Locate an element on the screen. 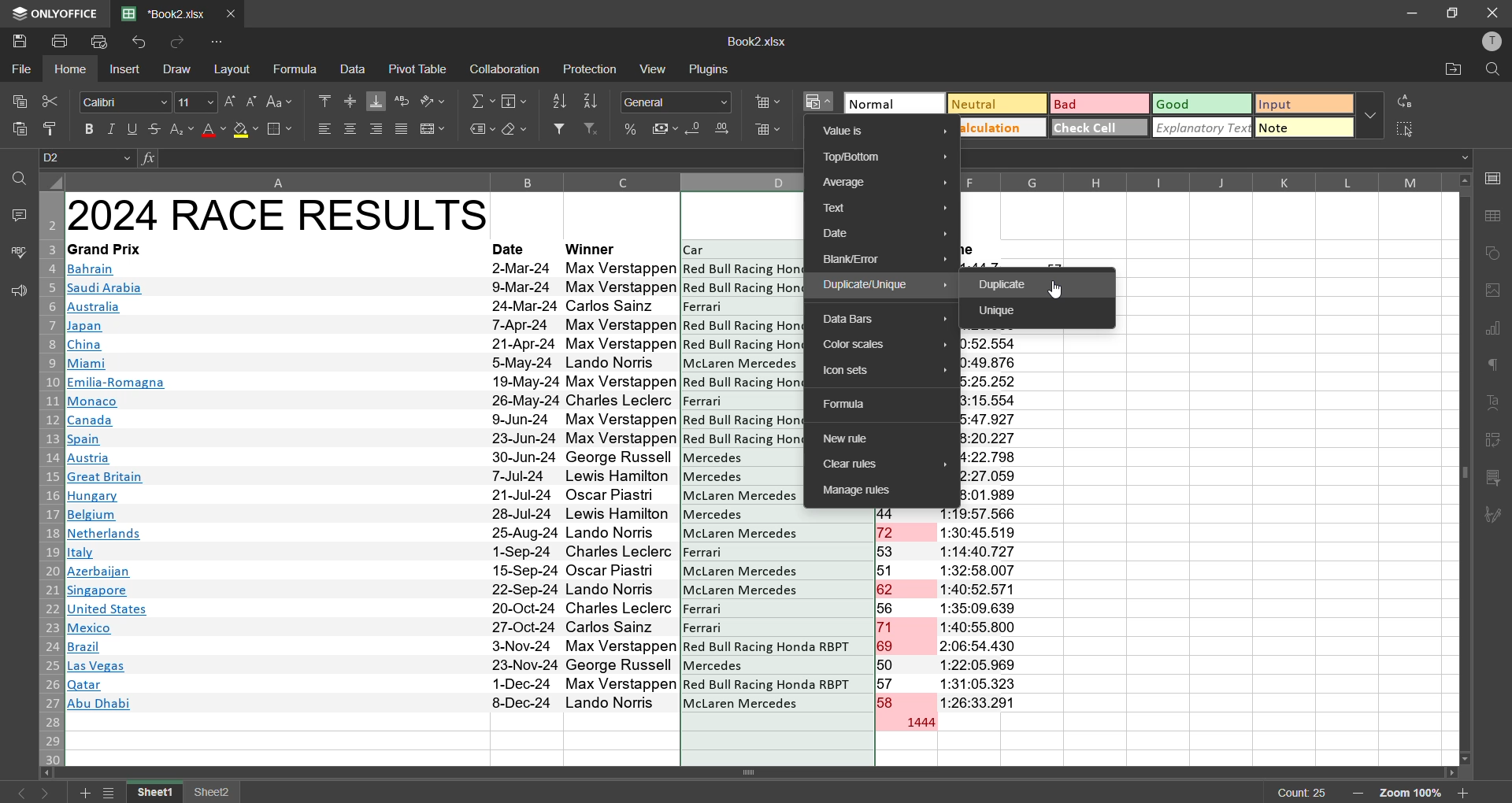  count 25 is located at coordinates (1303, 793).